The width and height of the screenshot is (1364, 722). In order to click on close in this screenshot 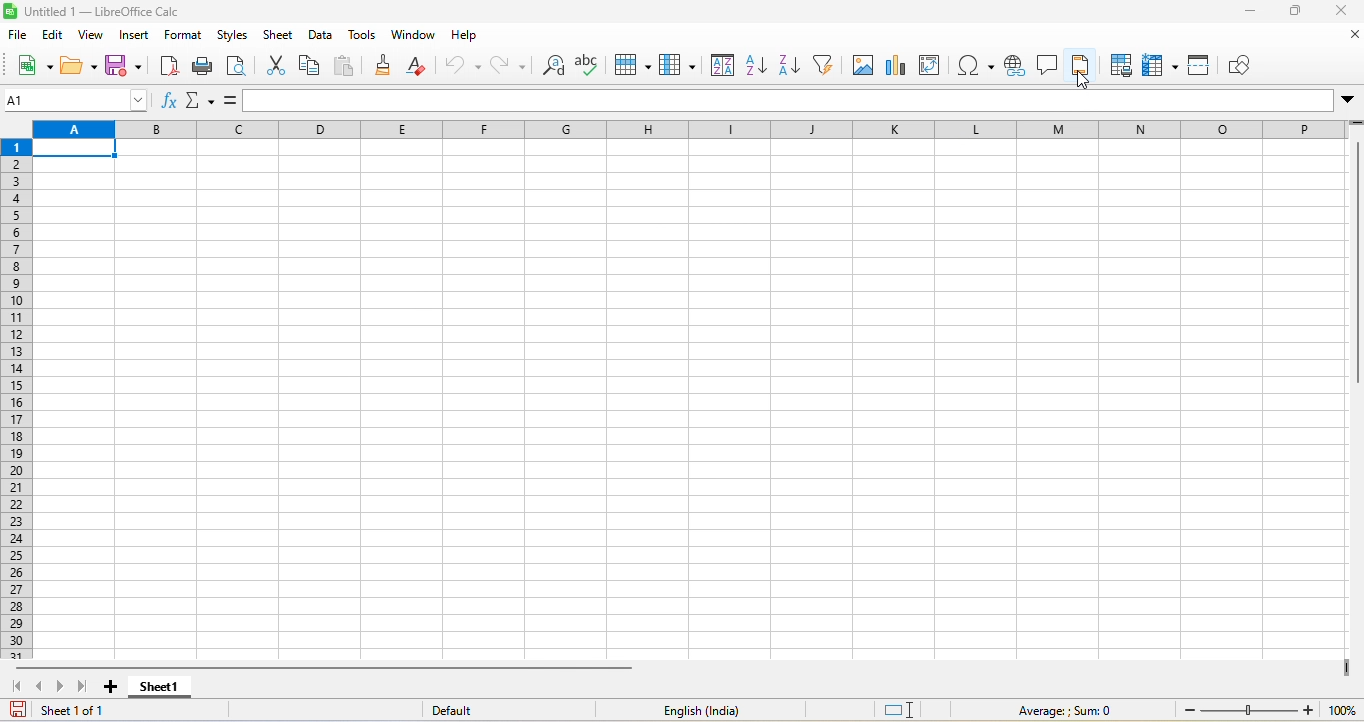, I will do `click(1344, 38)`.